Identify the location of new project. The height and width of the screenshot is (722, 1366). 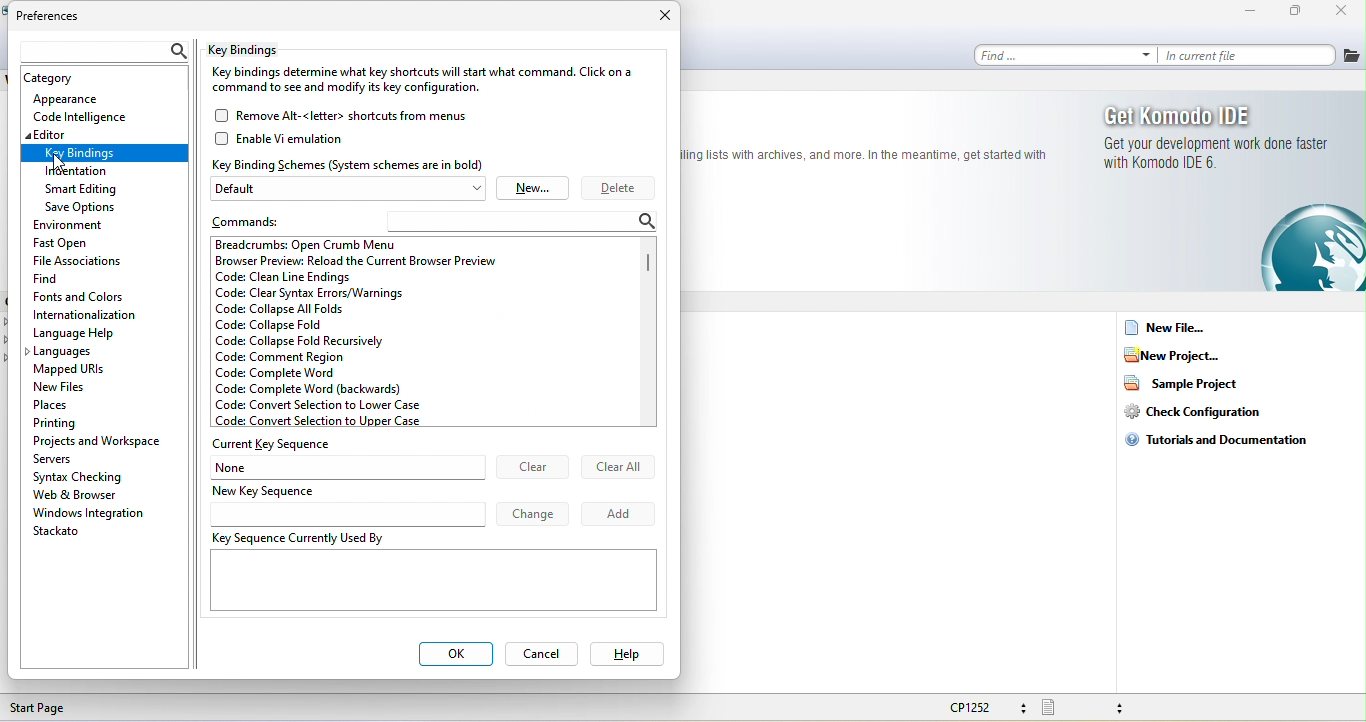
(1176, 354).